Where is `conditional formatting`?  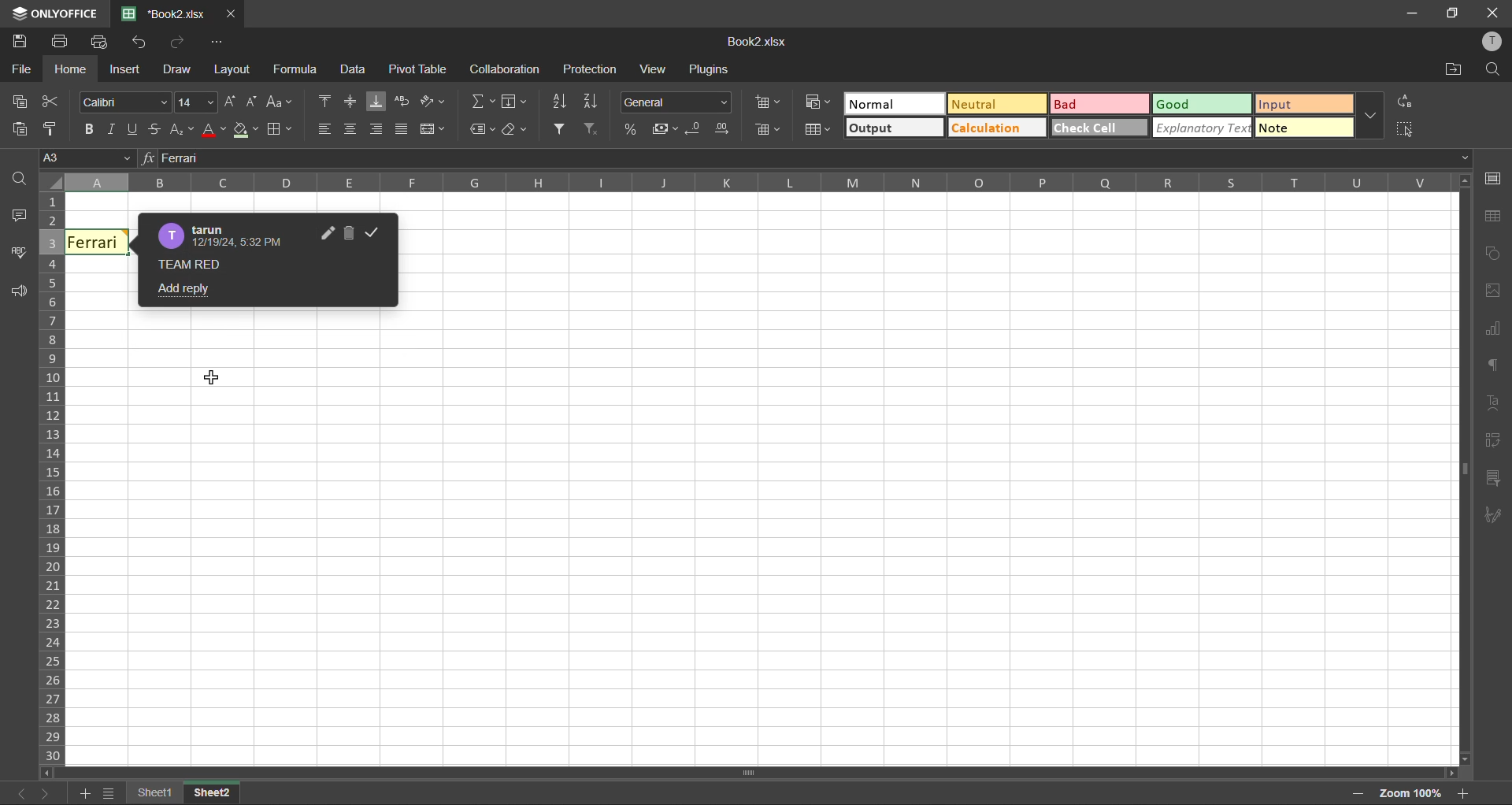
conditional formatting is located at coordinates (817, 101).